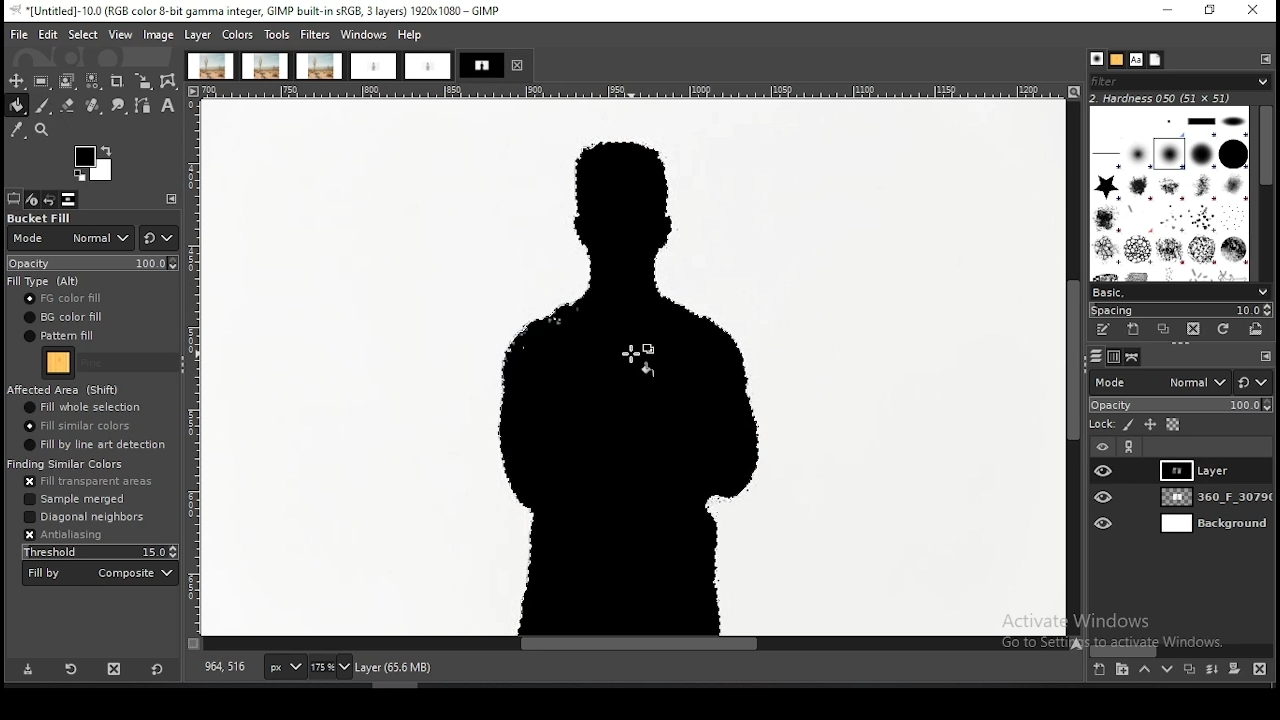 The height and width of the screenshot is (720, 1280). Describe the element at coordinates (373, 67) in the screenshot. I see `project tab` at that location.